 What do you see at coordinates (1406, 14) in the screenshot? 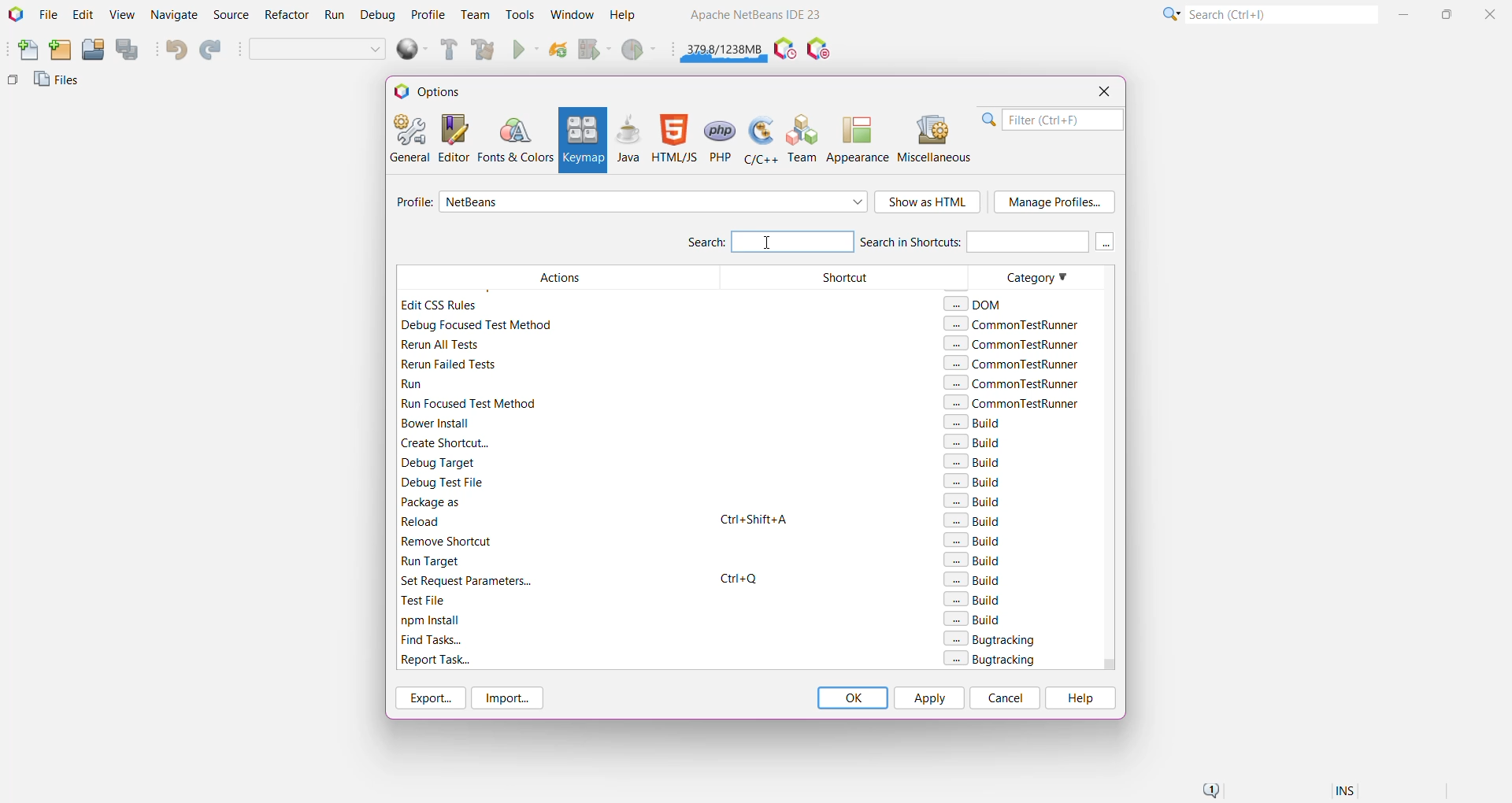
I see `Minimize` at bounding box center [1406, 14].